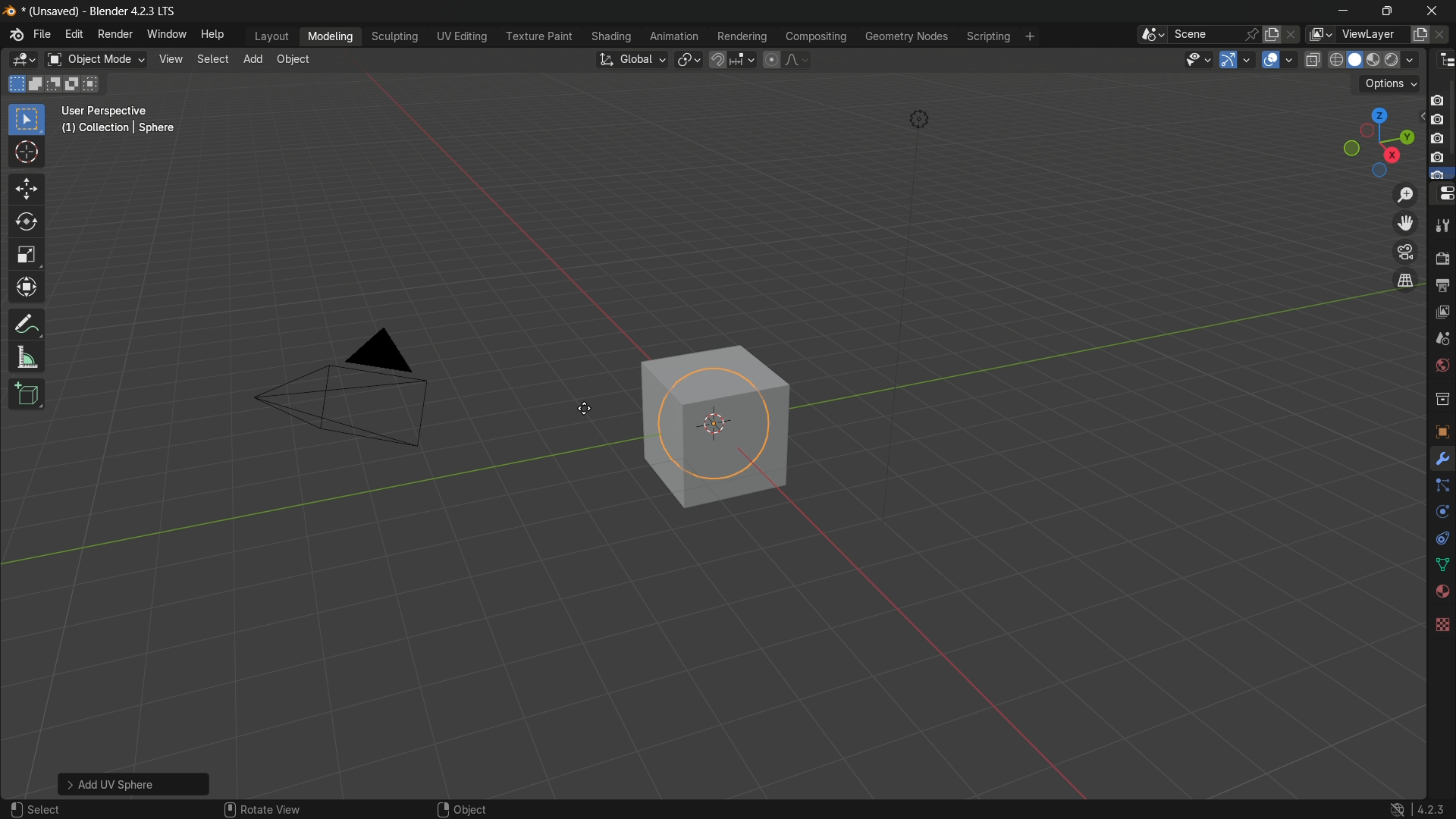  Describe the element at coordinates (632, 59) in the screenshot. I see `transformation orientation` at that location.